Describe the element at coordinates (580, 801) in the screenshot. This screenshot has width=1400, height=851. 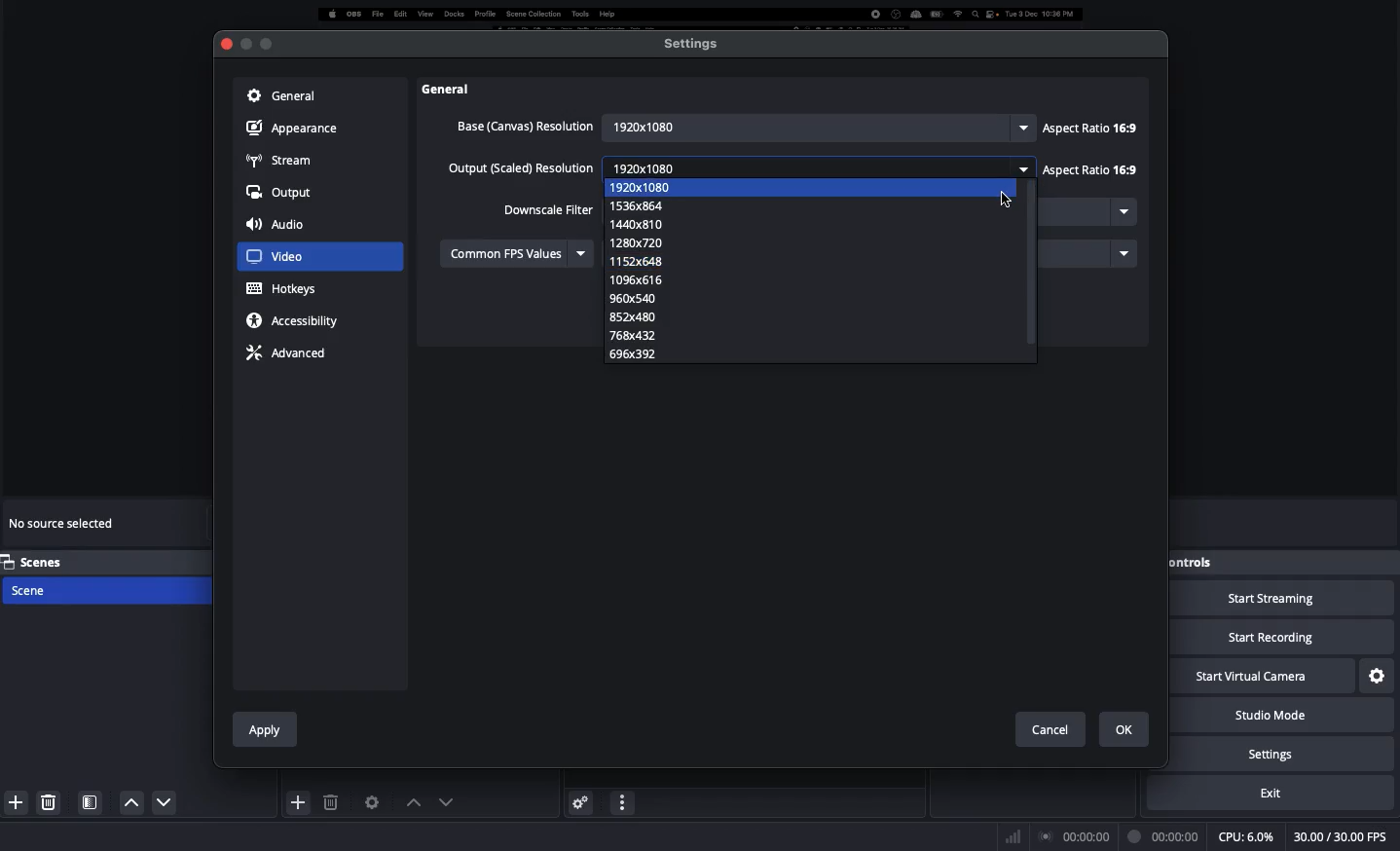
I see `Advanced audio preferences` at that location.